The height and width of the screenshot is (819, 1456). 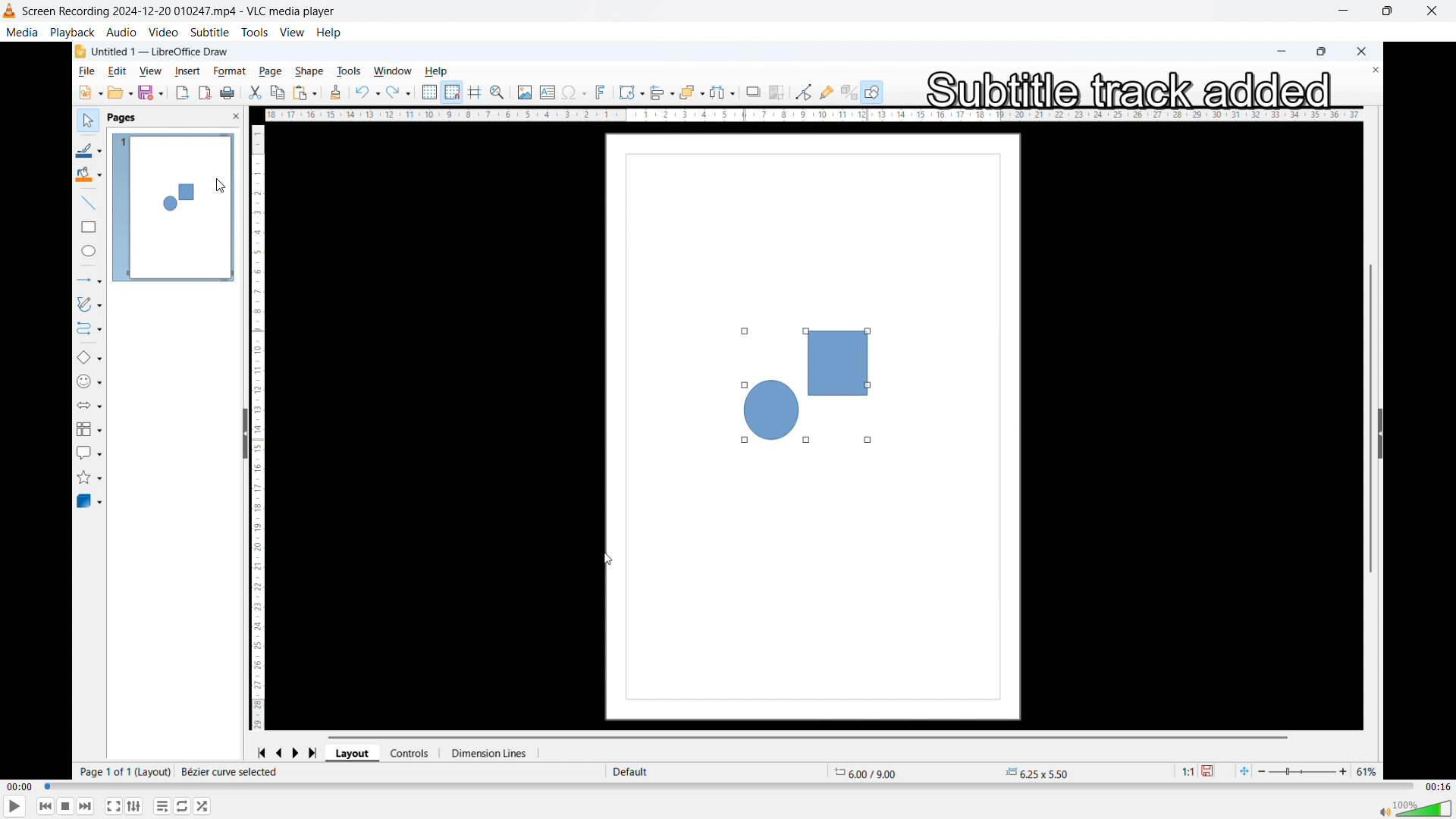 What do you see at coordinates (354, 753) in the screenshot?
I see `Layout` at bounding box center [354, 753].